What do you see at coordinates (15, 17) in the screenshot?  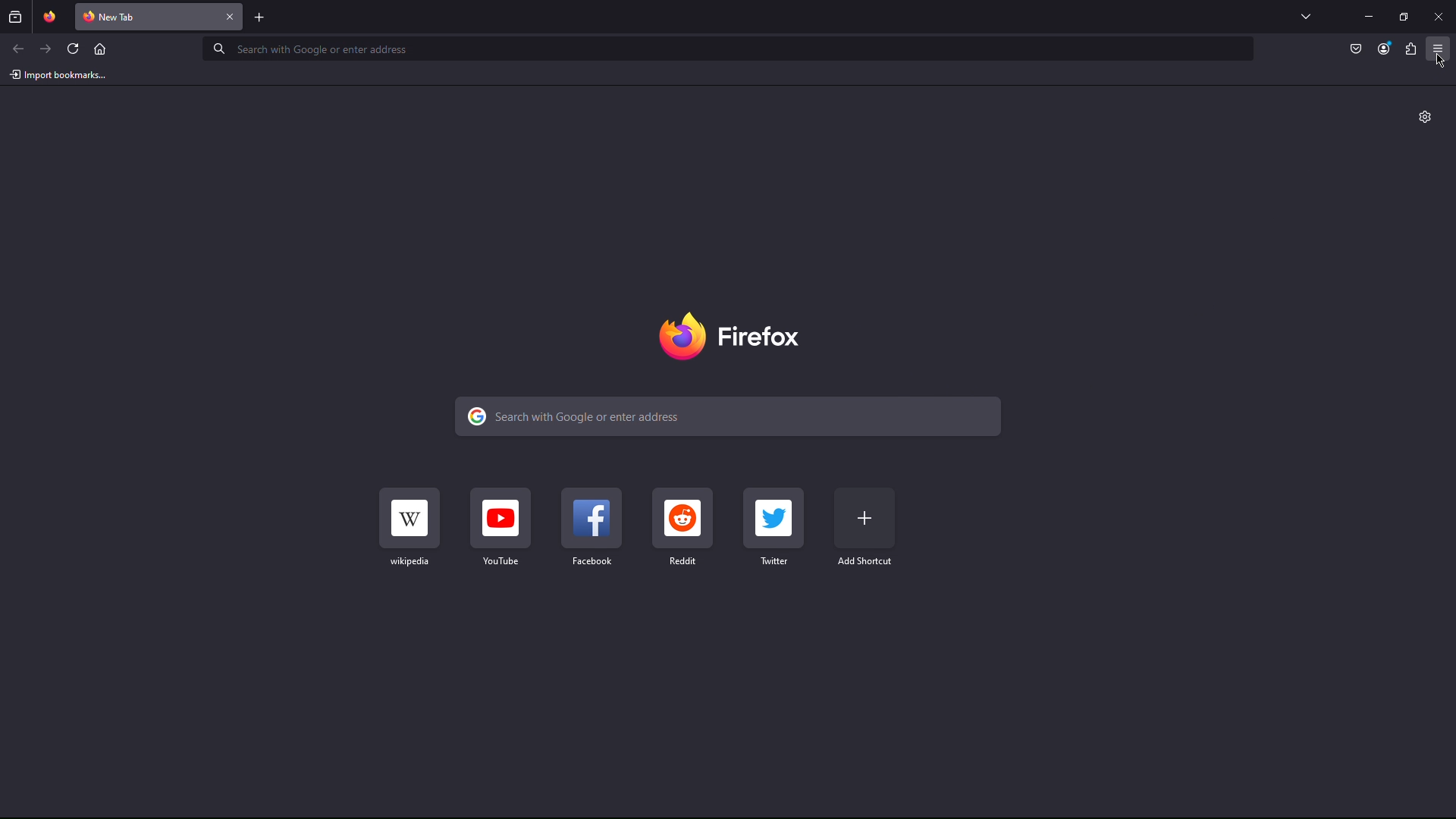 I see `Past browsing` at bounding box center [15, 17].